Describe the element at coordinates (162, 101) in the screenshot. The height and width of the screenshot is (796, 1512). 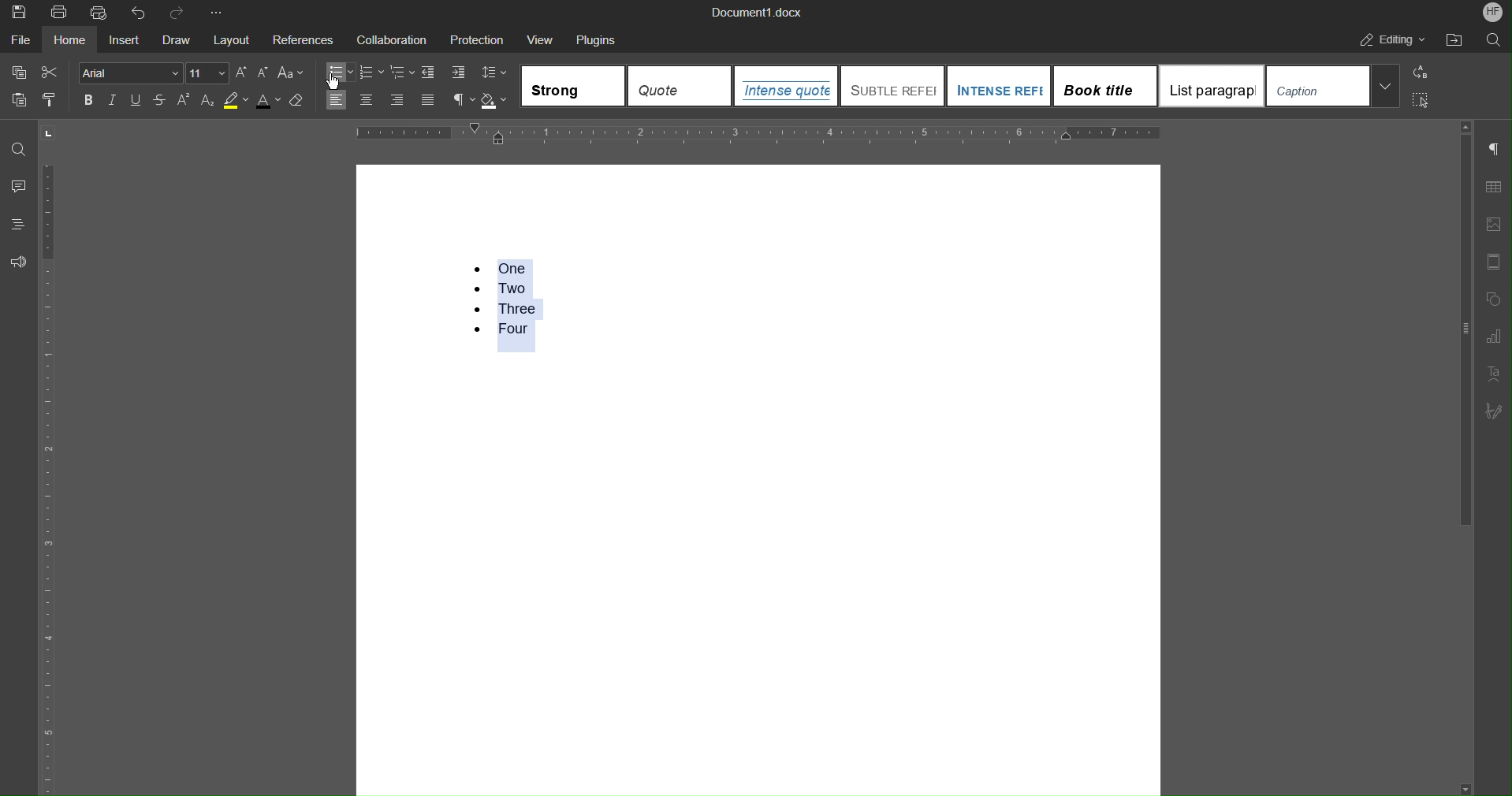
I see `Strikethrough` at that location.